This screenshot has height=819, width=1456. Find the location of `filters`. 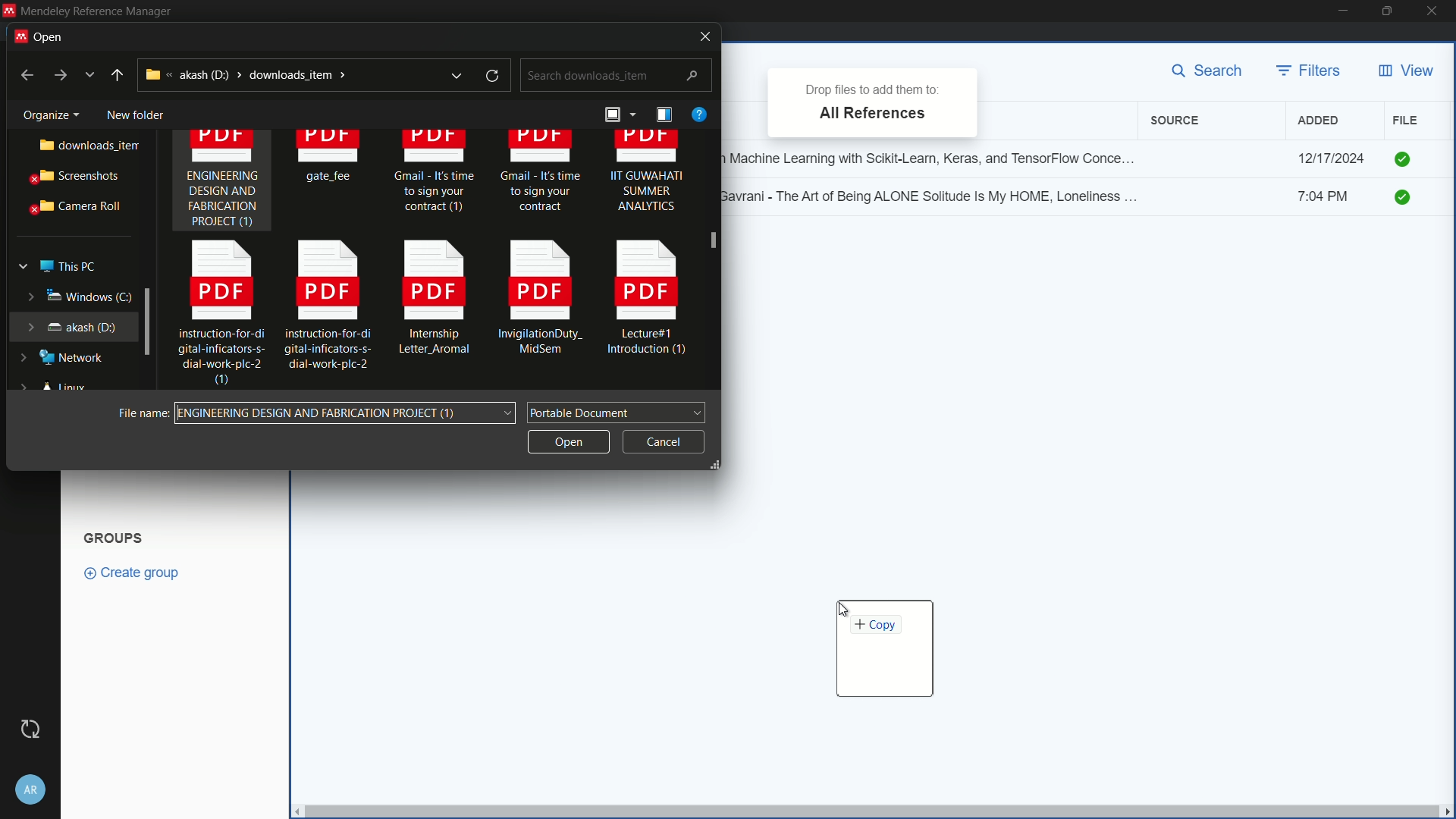

filters is located at coordinates (1310, 71).